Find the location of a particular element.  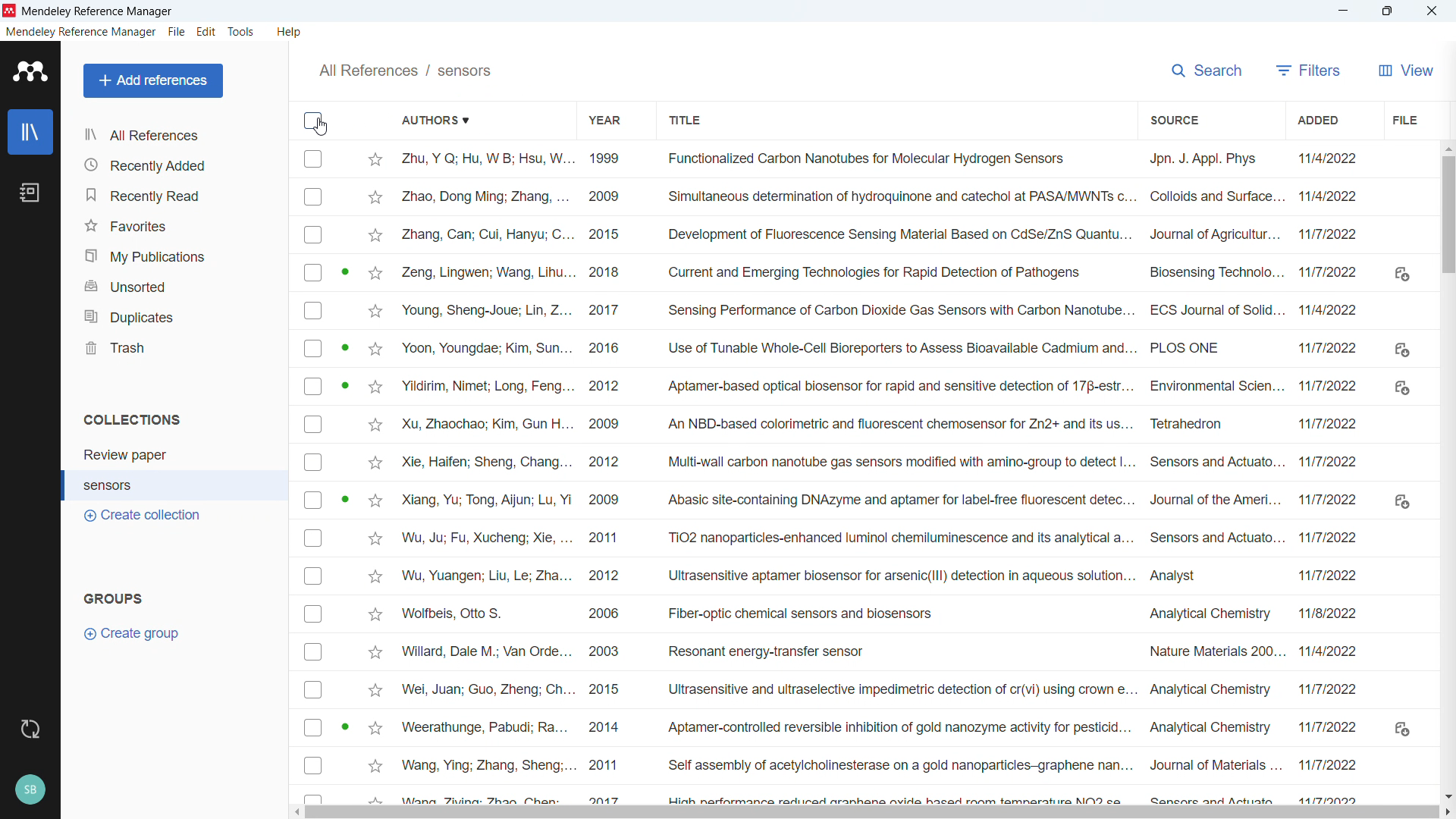

minimise  is located at coordinates (1344, 11).